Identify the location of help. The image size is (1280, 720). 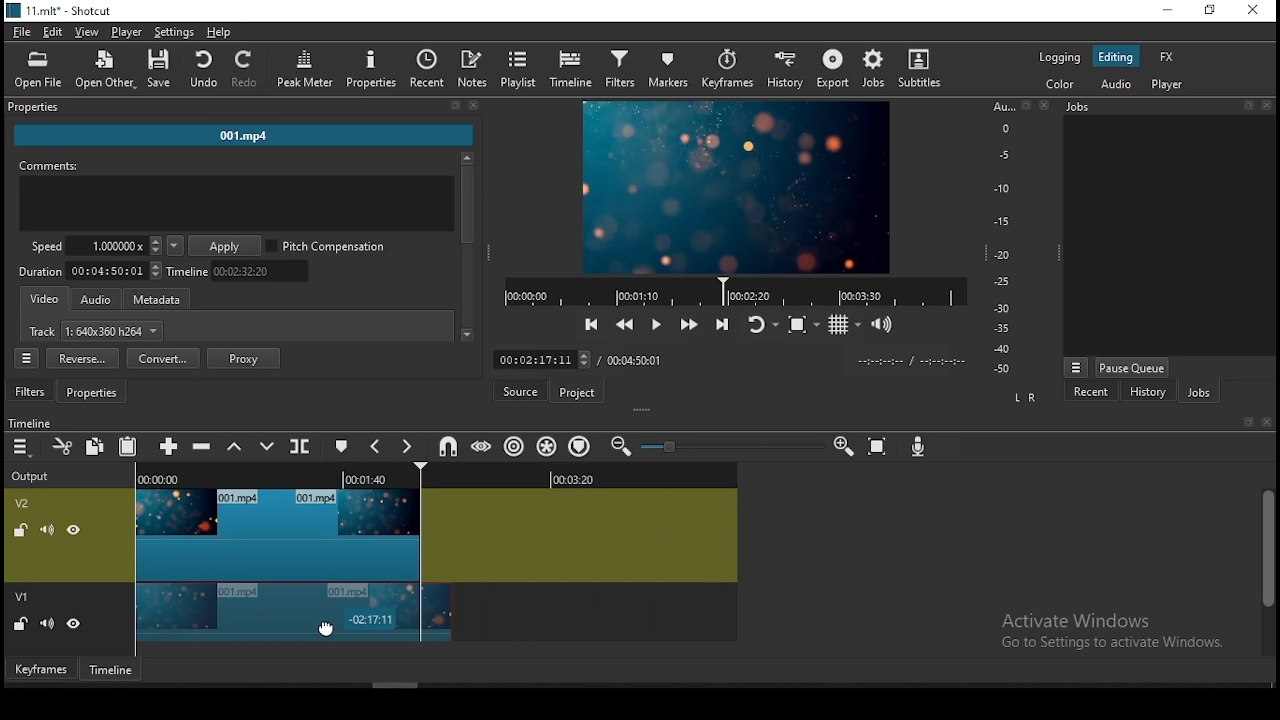
(219, 31).